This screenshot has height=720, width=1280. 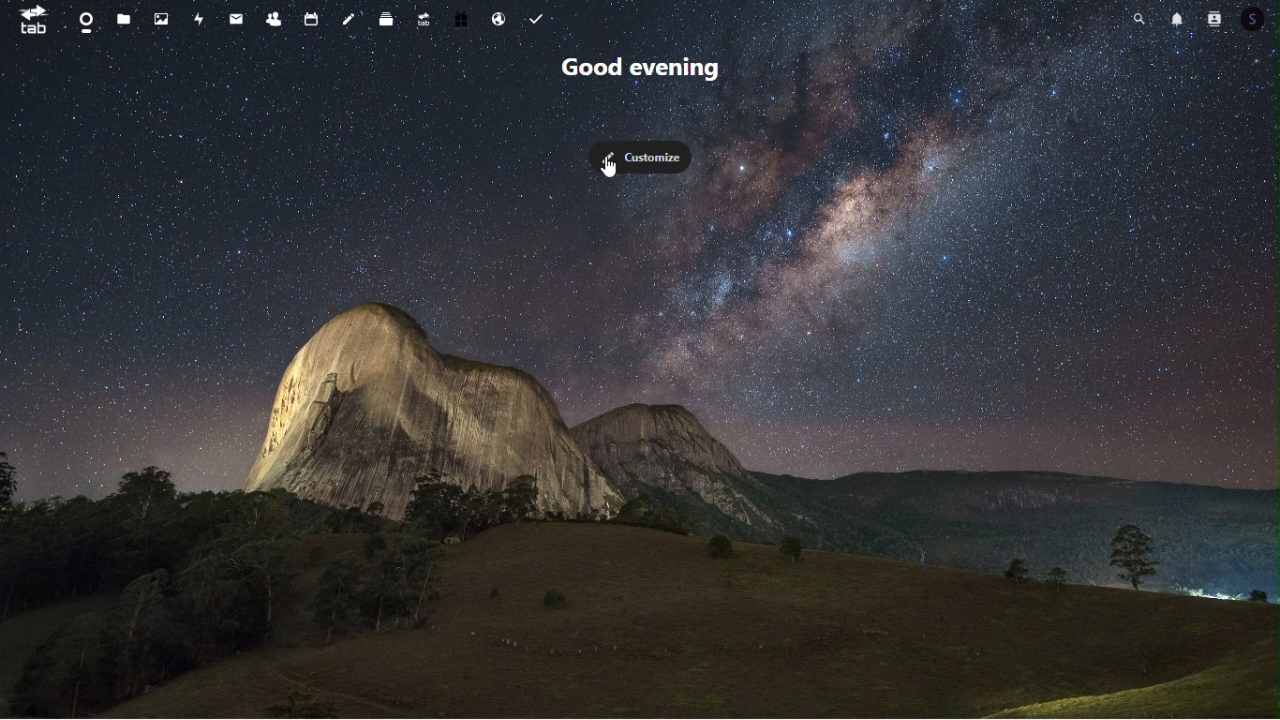 I want to click on good evening, so click(x=645, y=72).